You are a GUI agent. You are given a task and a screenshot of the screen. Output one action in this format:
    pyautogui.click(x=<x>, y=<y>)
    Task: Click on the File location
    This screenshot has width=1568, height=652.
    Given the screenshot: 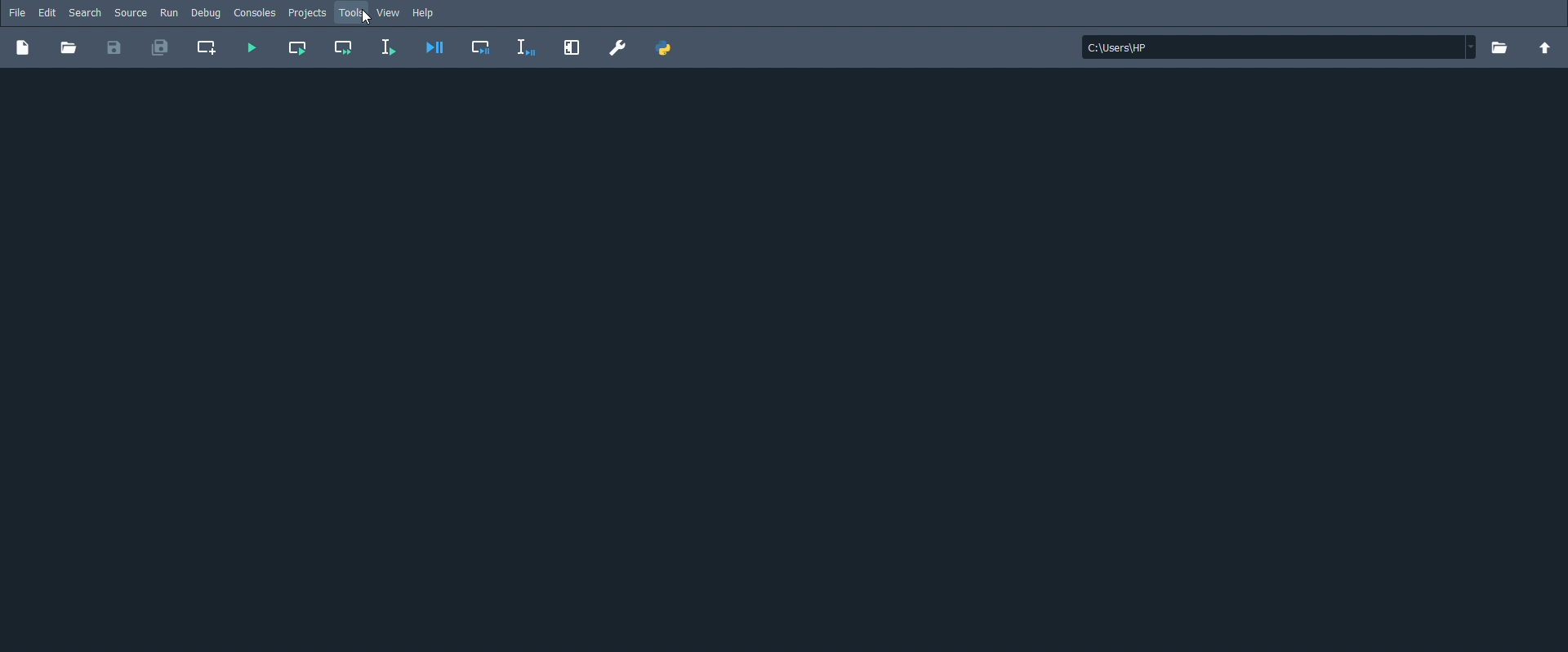 What is the action you would take?
    pyautogui.click(x=1280, y=47)
    